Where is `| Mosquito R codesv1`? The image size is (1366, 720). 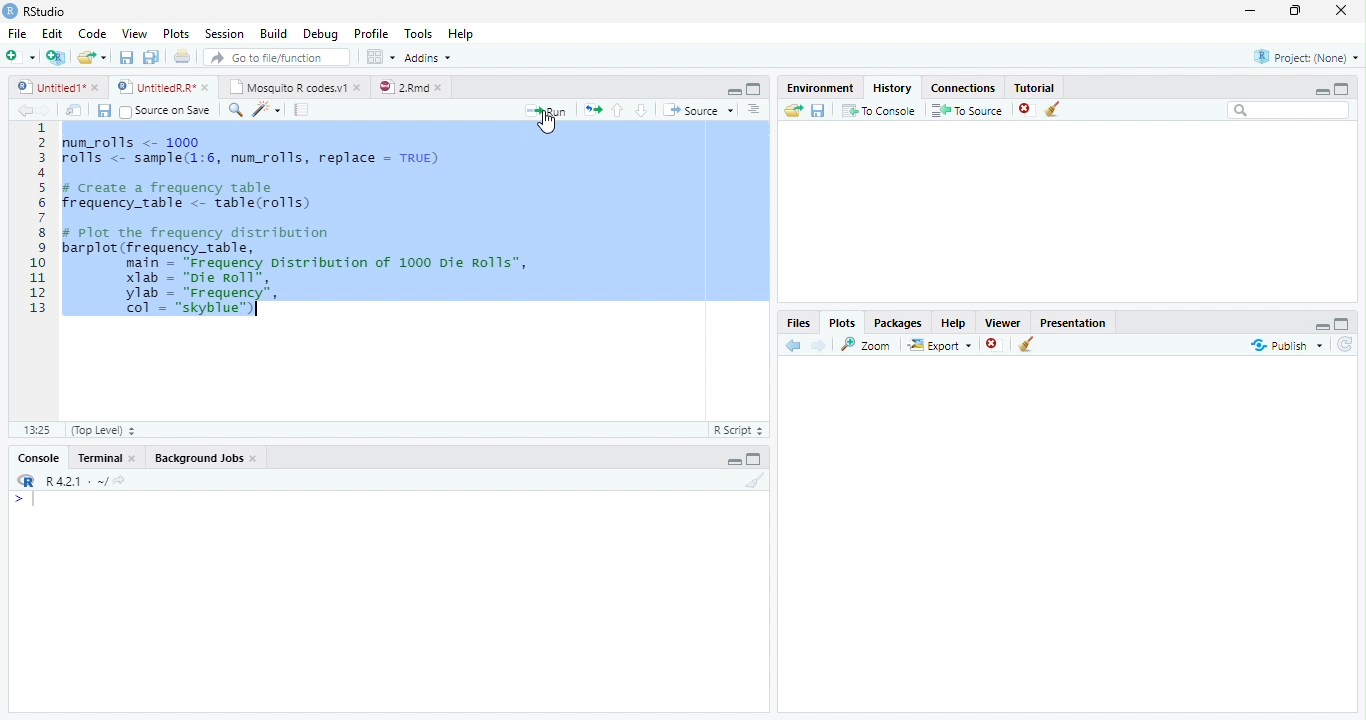
| Mosquito R codesv1 is located at coordinates (294, 87).